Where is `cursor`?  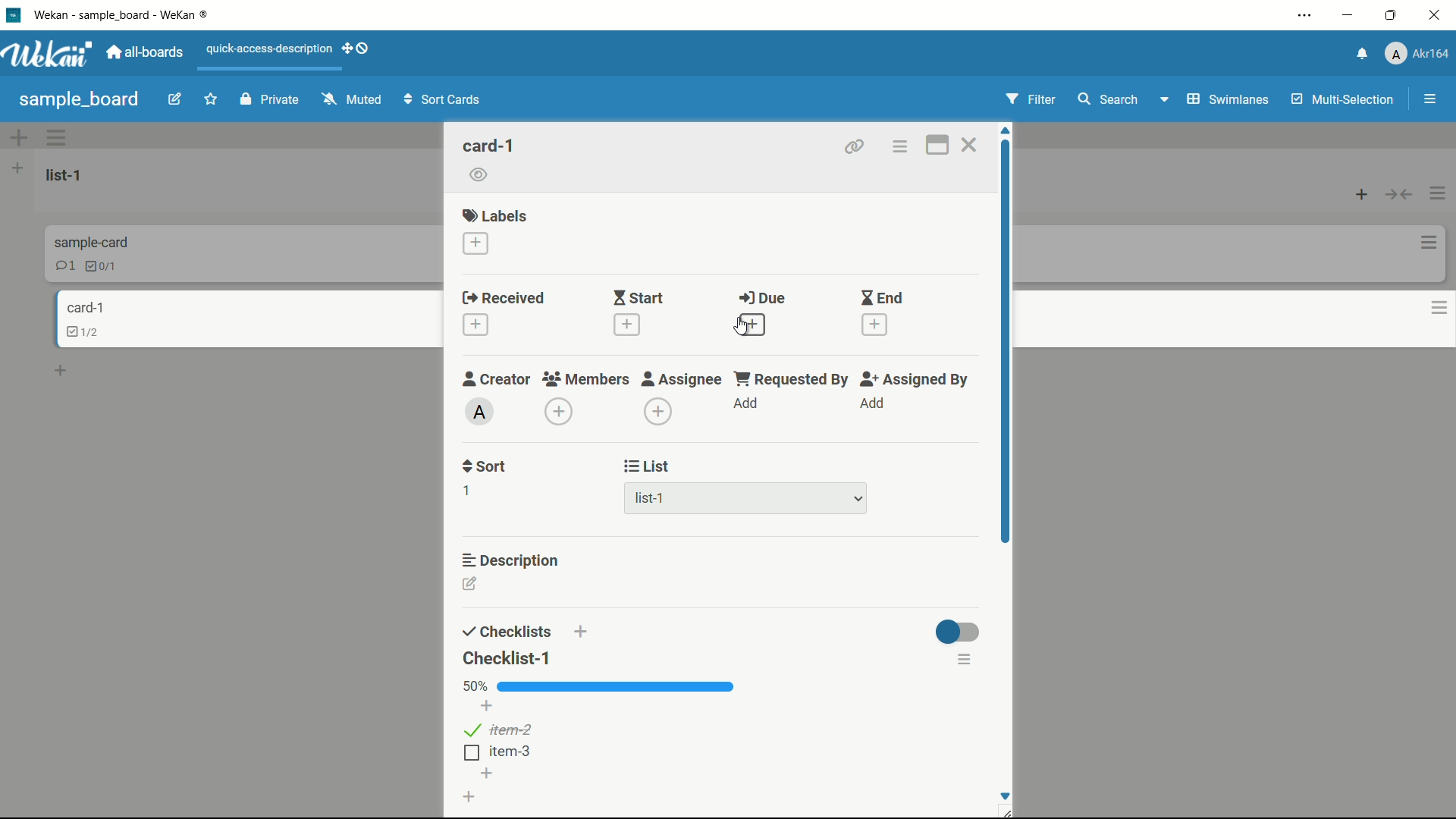 cursor is located at coordinates (736, 333).